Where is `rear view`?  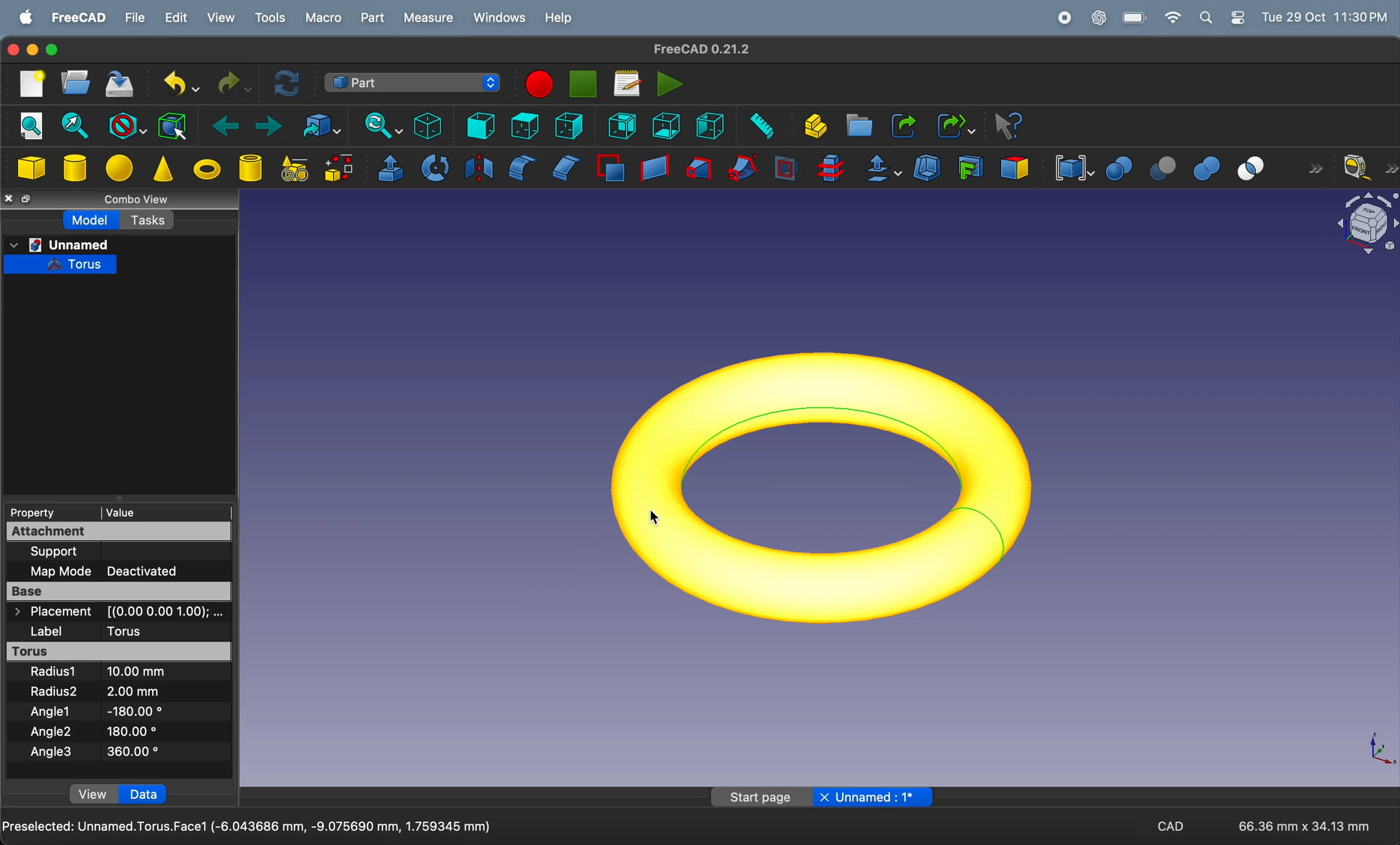
rear view is located at coordinates (622, 126).